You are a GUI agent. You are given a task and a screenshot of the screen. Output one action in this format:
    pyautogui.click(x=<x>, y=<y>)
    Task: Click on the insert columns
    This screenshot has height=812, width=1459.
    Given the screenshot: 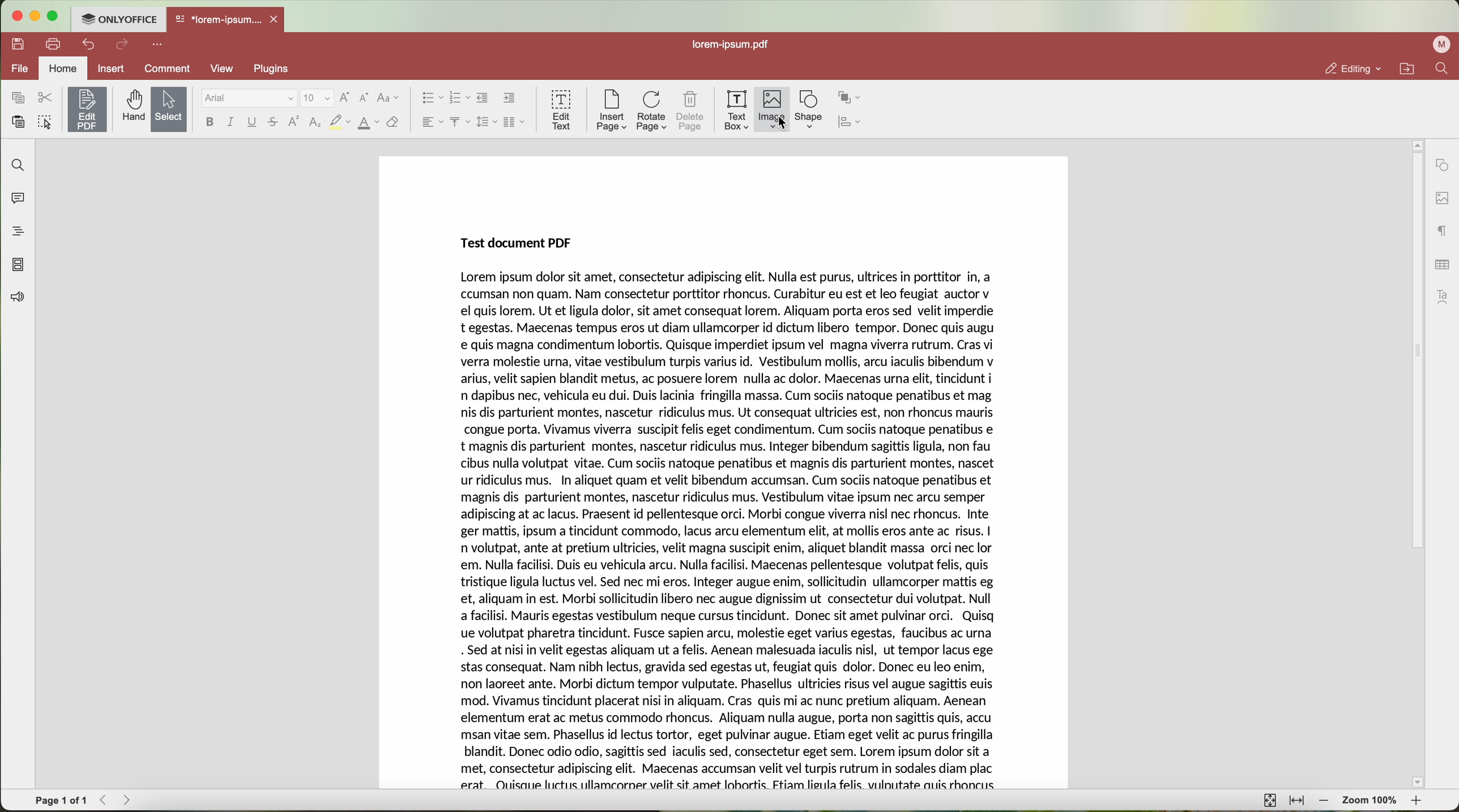 What is the action you would take?
    pyautogui.click(x=515, y=123)
    